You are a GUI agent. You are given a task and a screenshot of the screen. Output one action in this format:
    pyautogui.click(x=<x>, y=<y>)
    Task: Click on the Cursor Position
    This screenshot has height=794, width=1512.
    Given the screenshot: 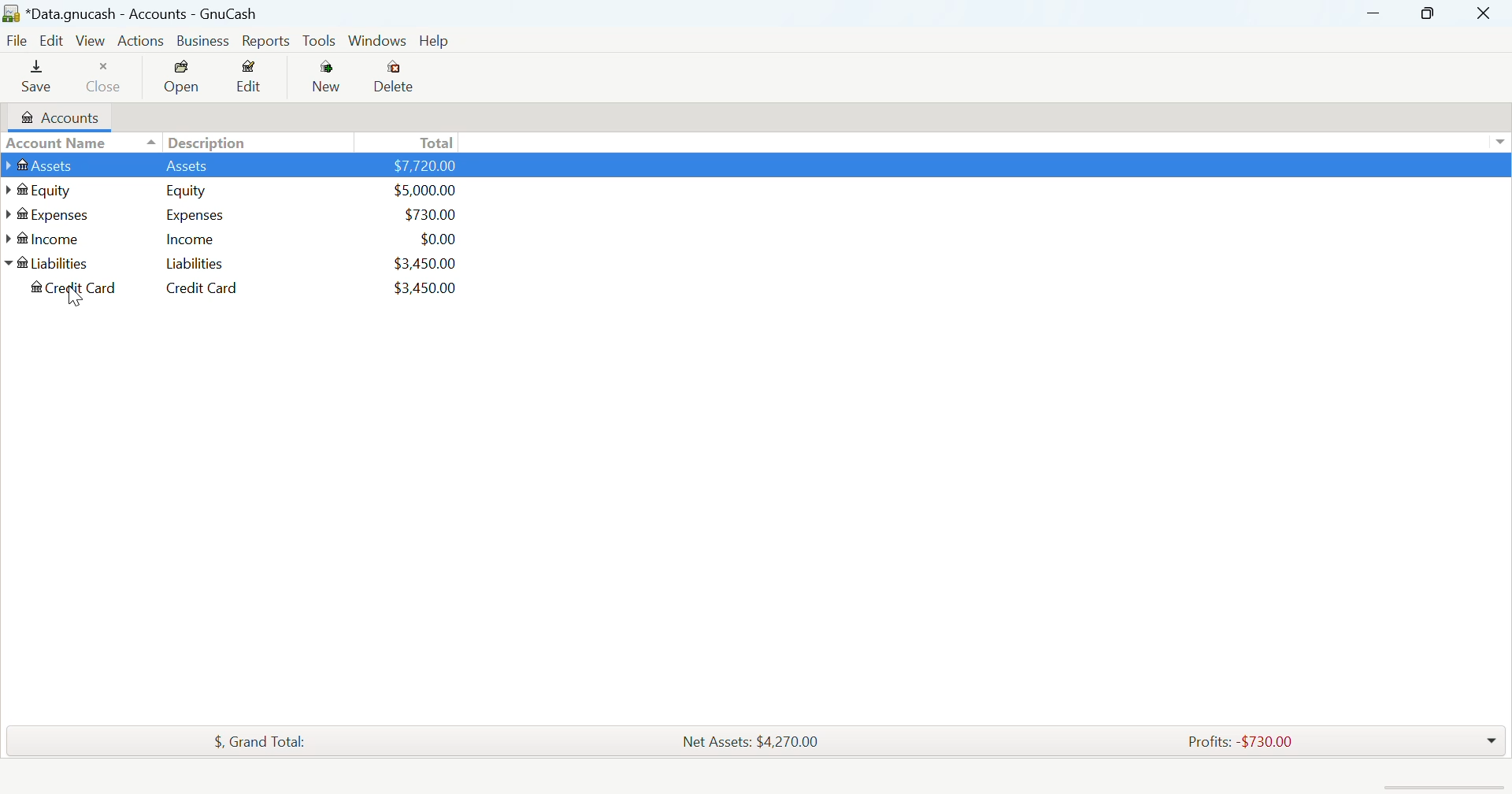 What is the action you would take?
    pyautogui.click(x=75, y=299)
    